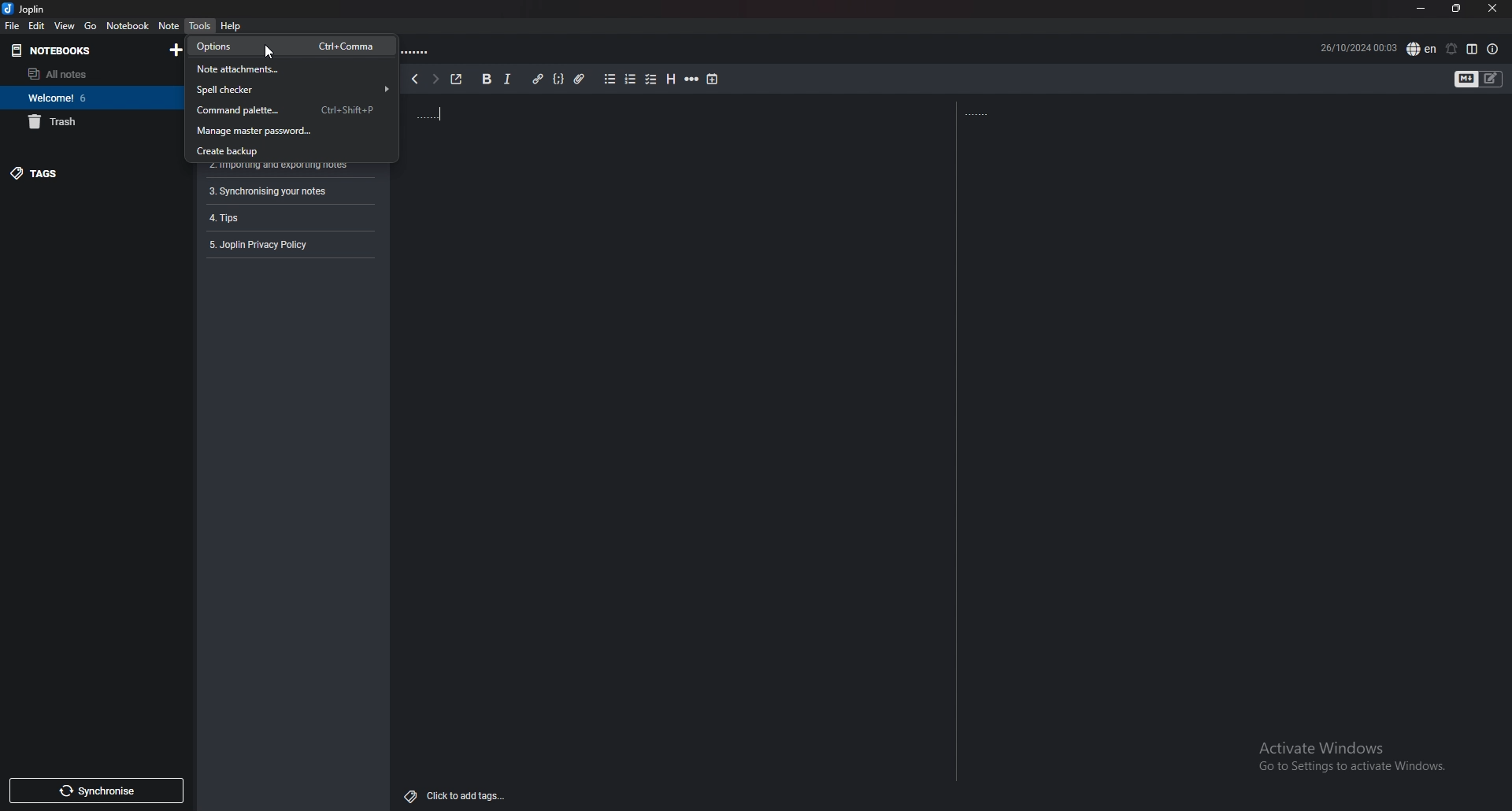  What do you see at coordinates (579, 79) in the screenshot?
I see `add attachment` at bounding box center [579, 79].